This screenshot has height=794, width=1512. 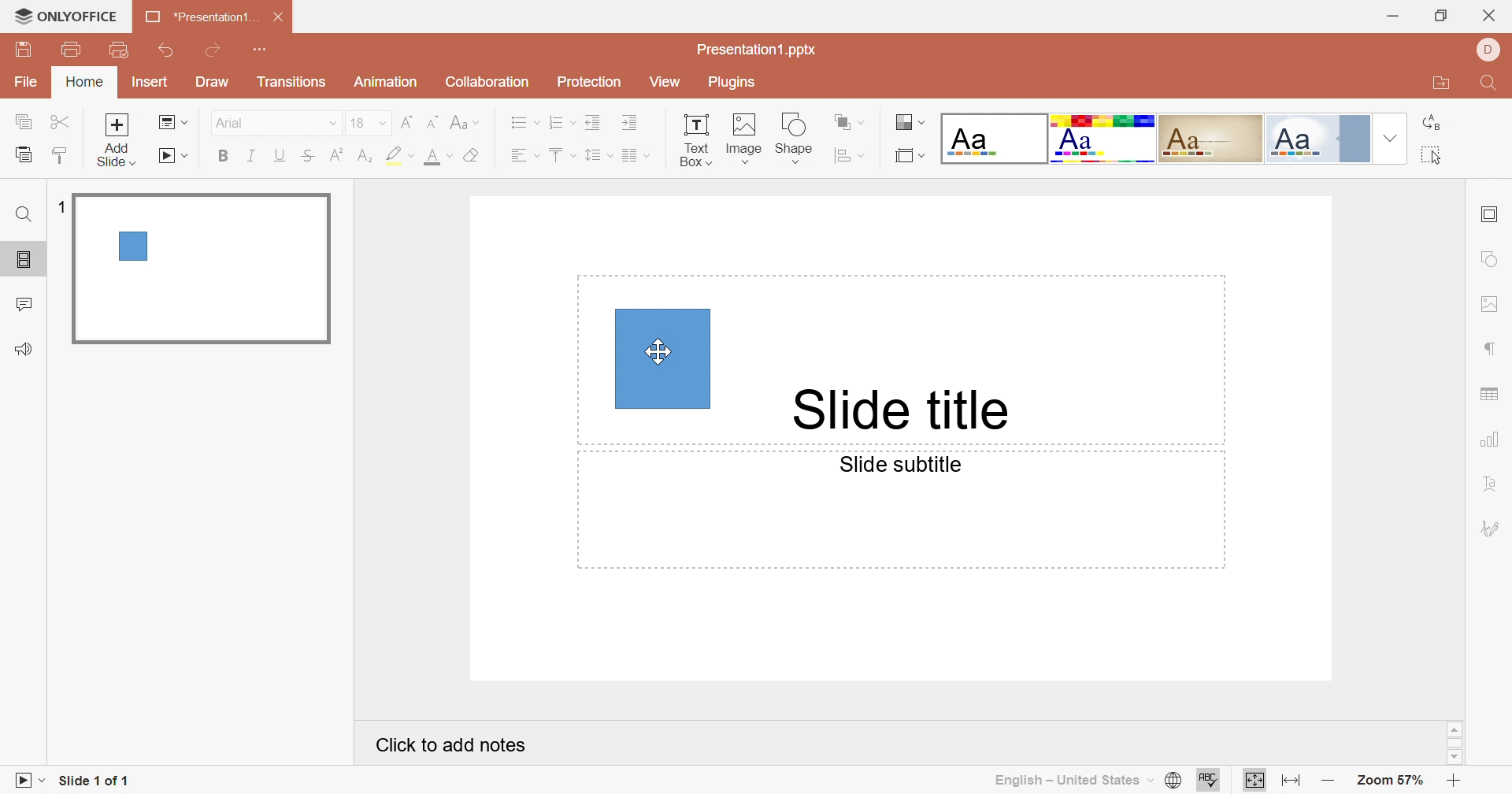 I want to click on 1, so click(x=60, y=204).